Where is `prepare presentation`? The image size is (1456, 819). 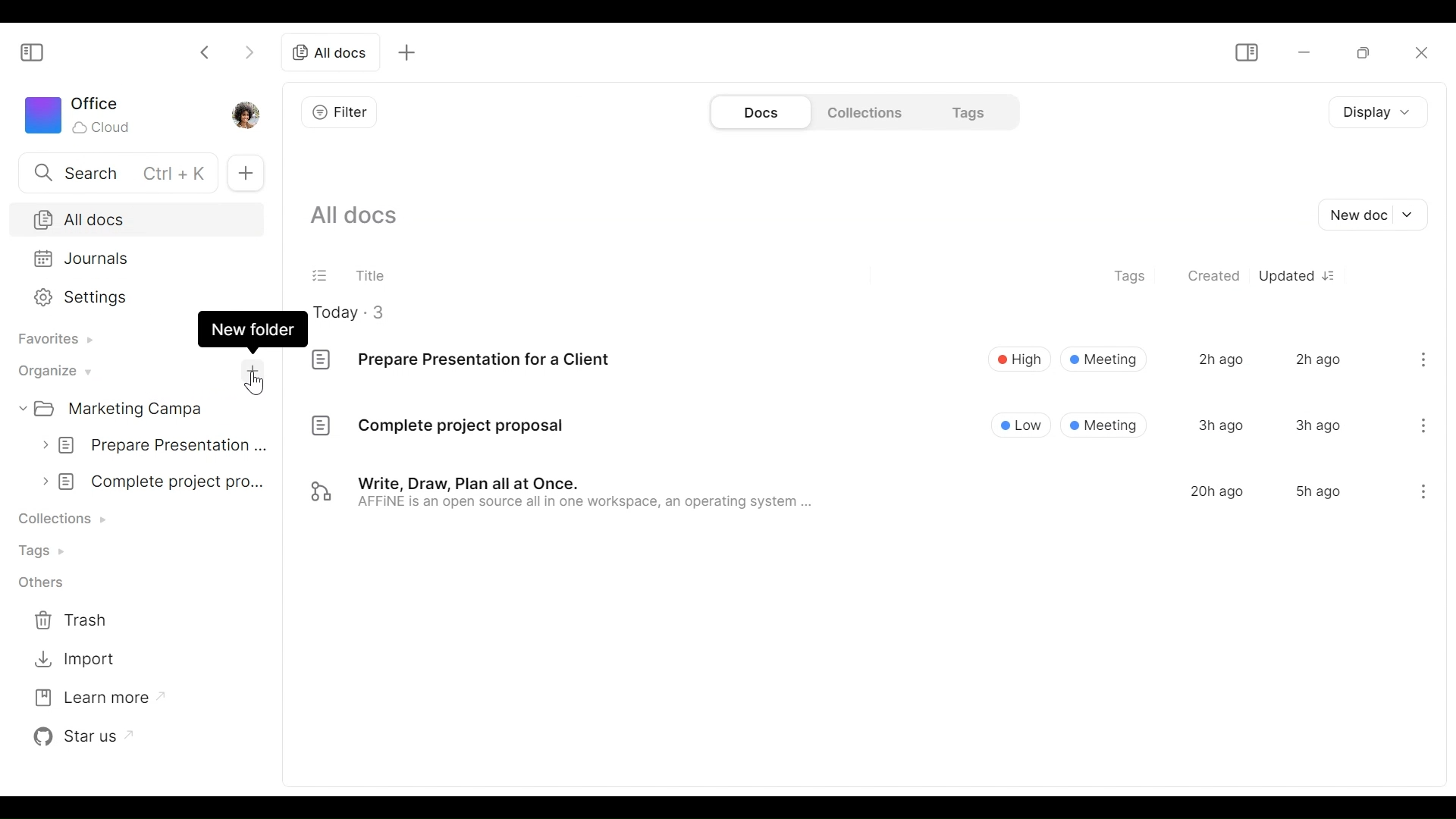
prepare presentation is located at coordinates (156, 443).